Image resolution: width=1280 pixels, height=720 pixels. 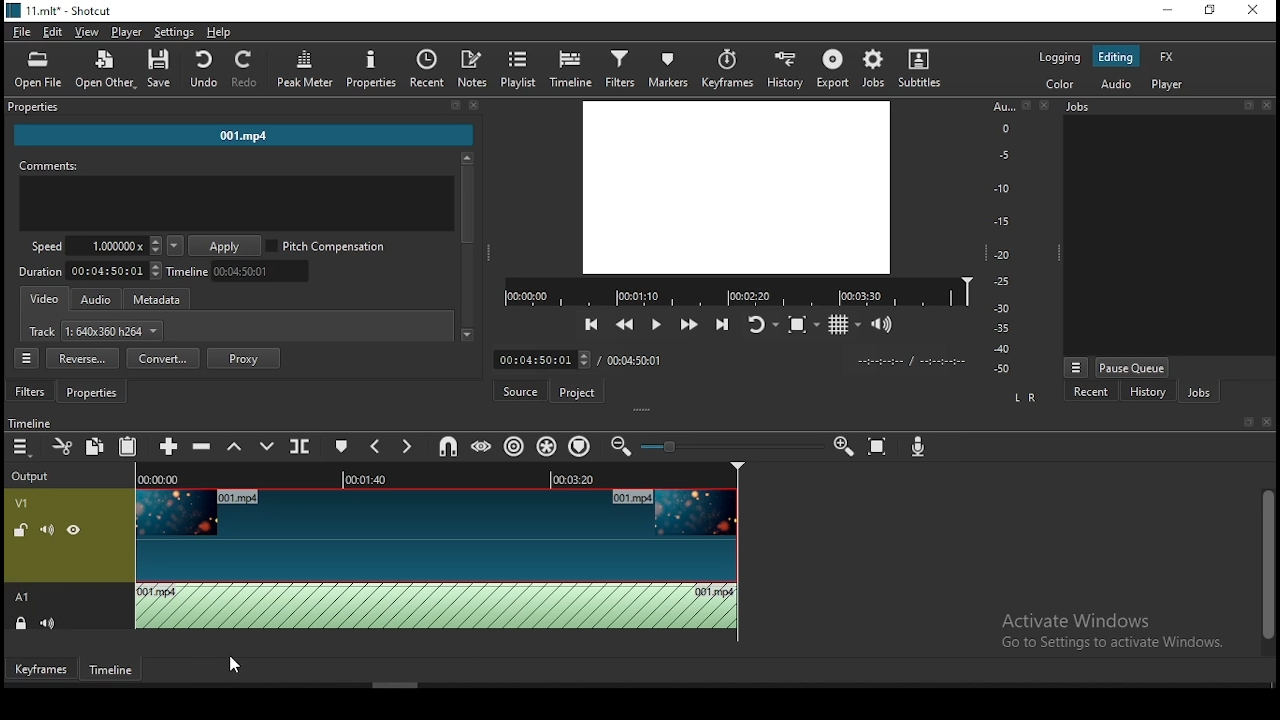 I want to click on 11.mlt* -shotcut, so click(x=62, y=11).